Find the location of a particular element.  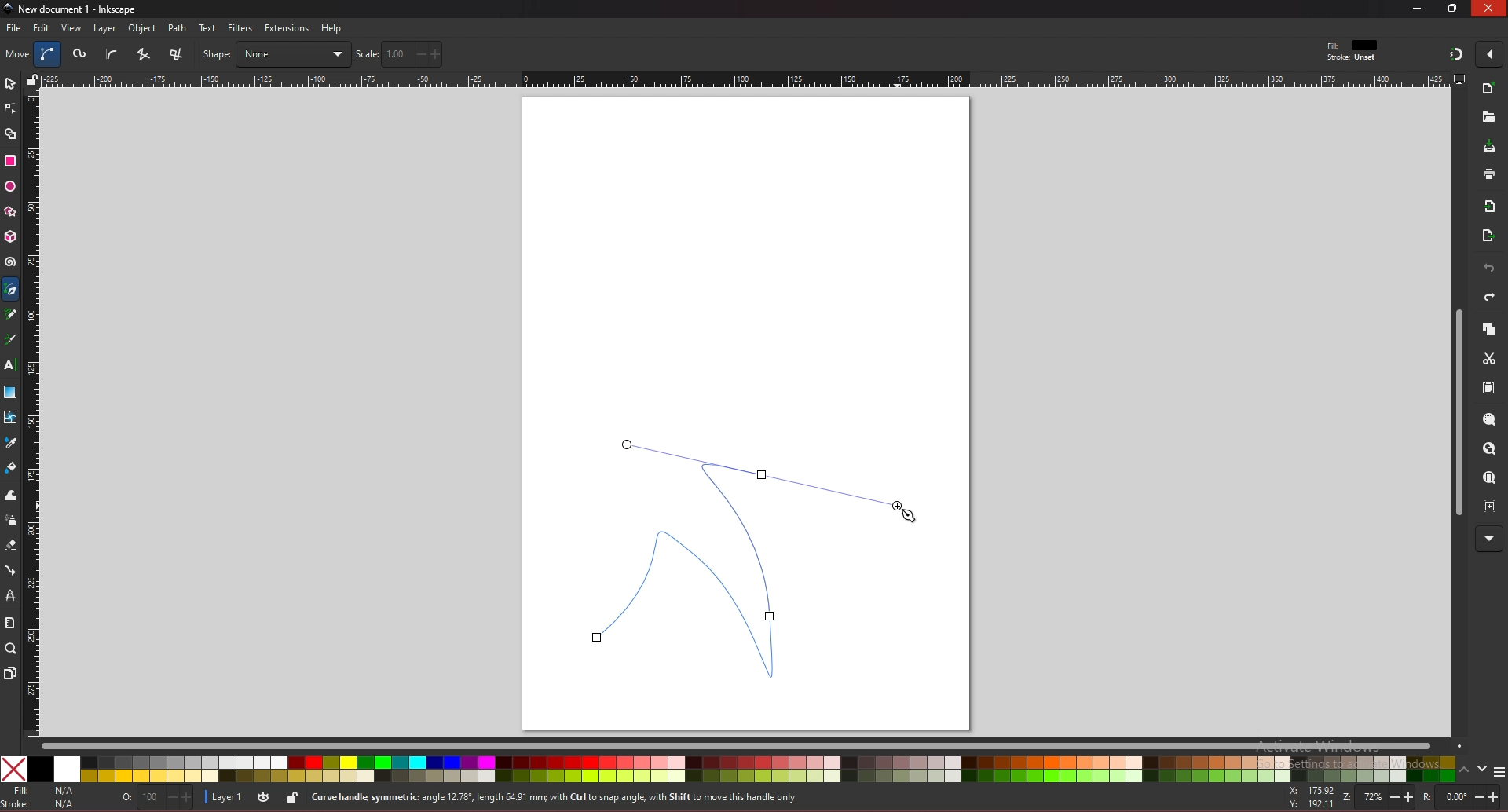

opacity is located at coordinates (159, 799).